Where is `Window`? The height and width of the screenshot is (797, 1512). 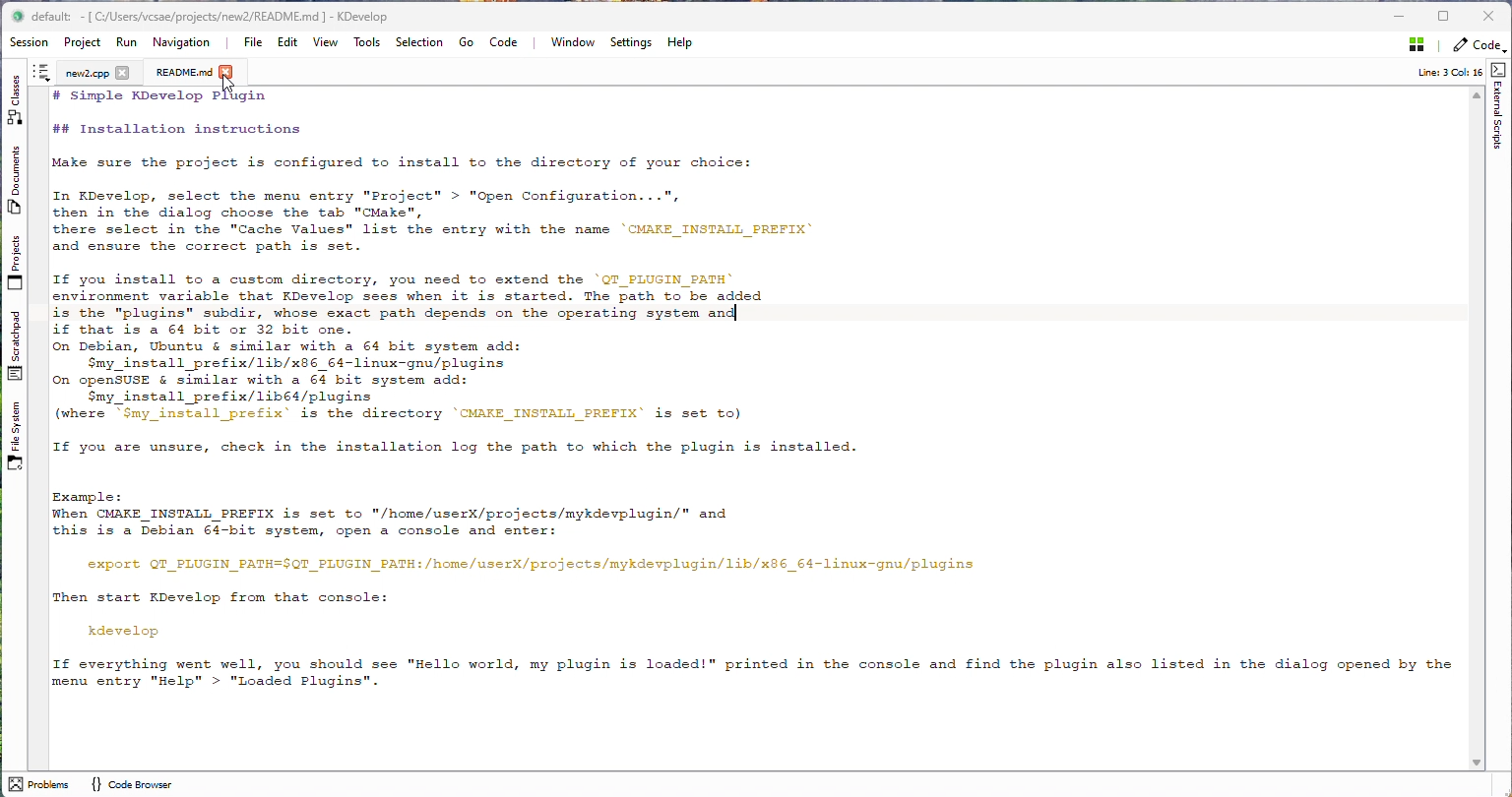
Window is located at coordinates (573, 45).